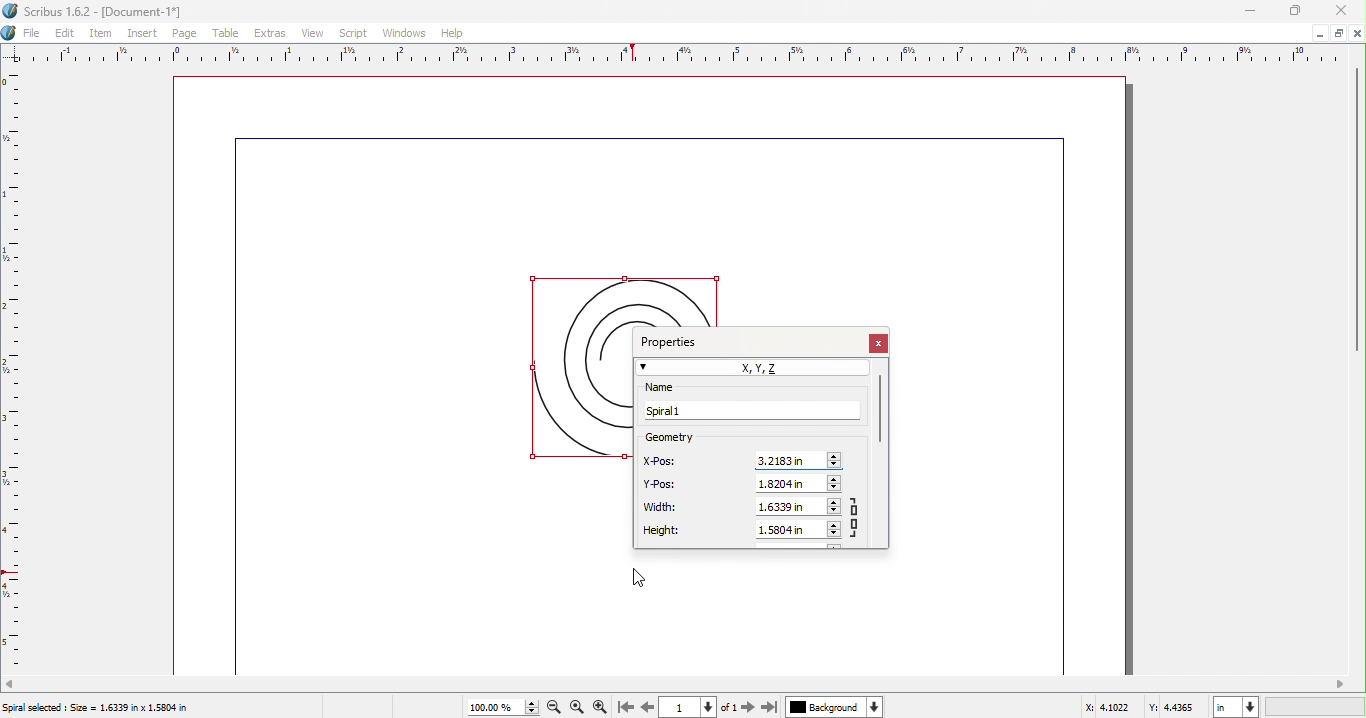 This screenshot has height=718, width=1366. What do you see at coordinates (1252, 11) in the screenshot?
I see `Minimize` at bounding box center [1252, 11].